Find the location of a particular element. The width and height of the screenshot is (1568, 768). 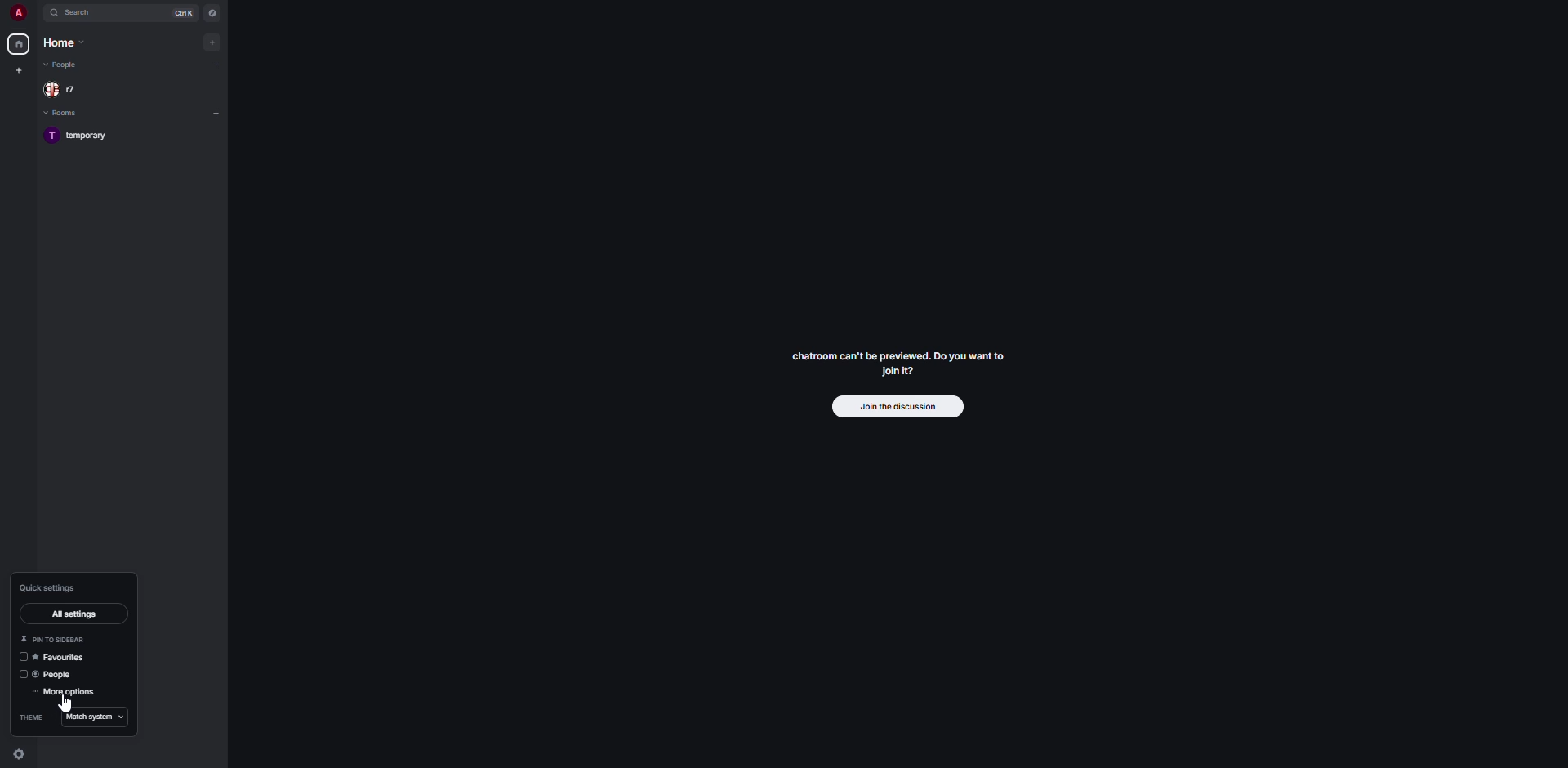

join discussion is located at coordinates (894, 407).